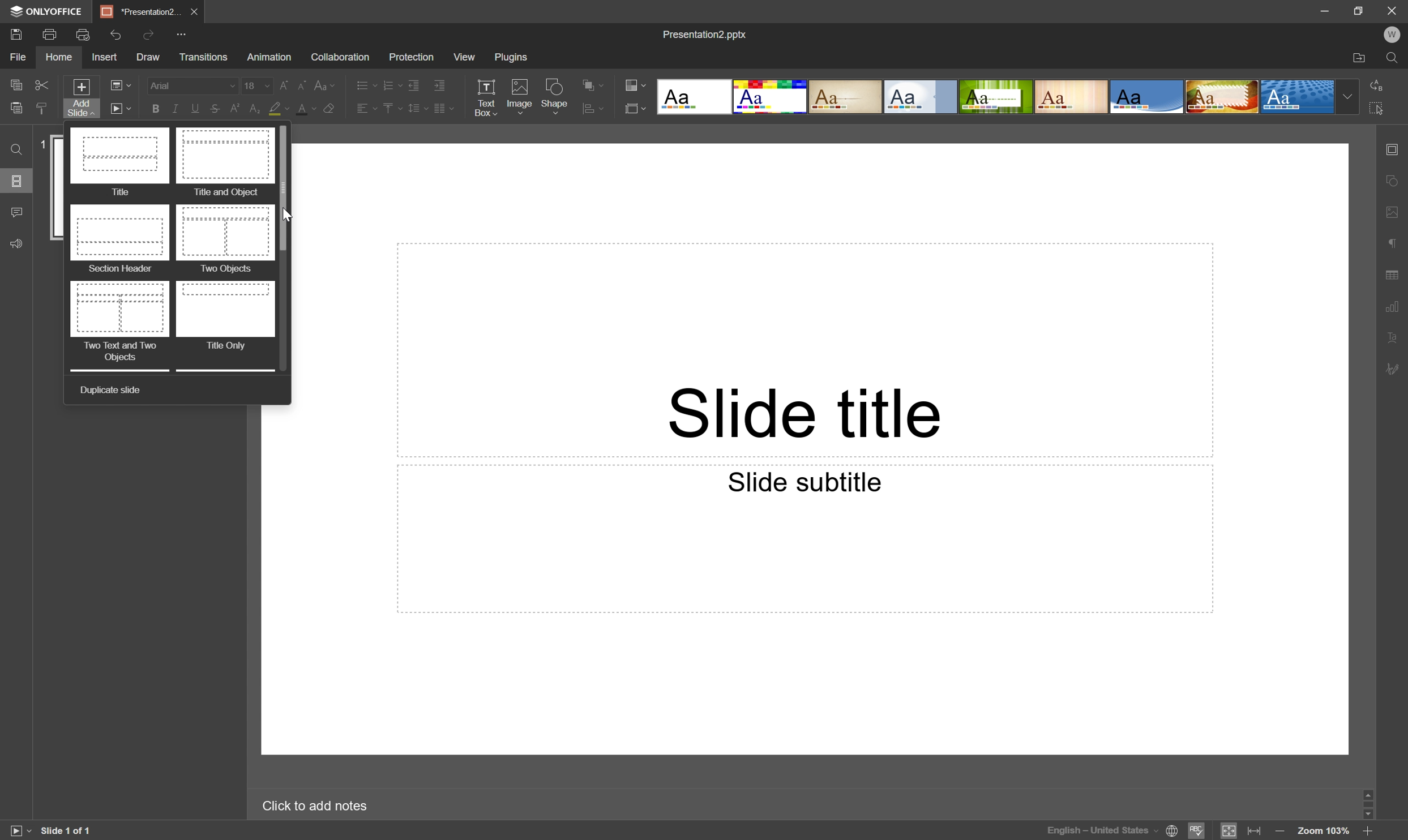  I want to click on cursor, so click(292, 216).